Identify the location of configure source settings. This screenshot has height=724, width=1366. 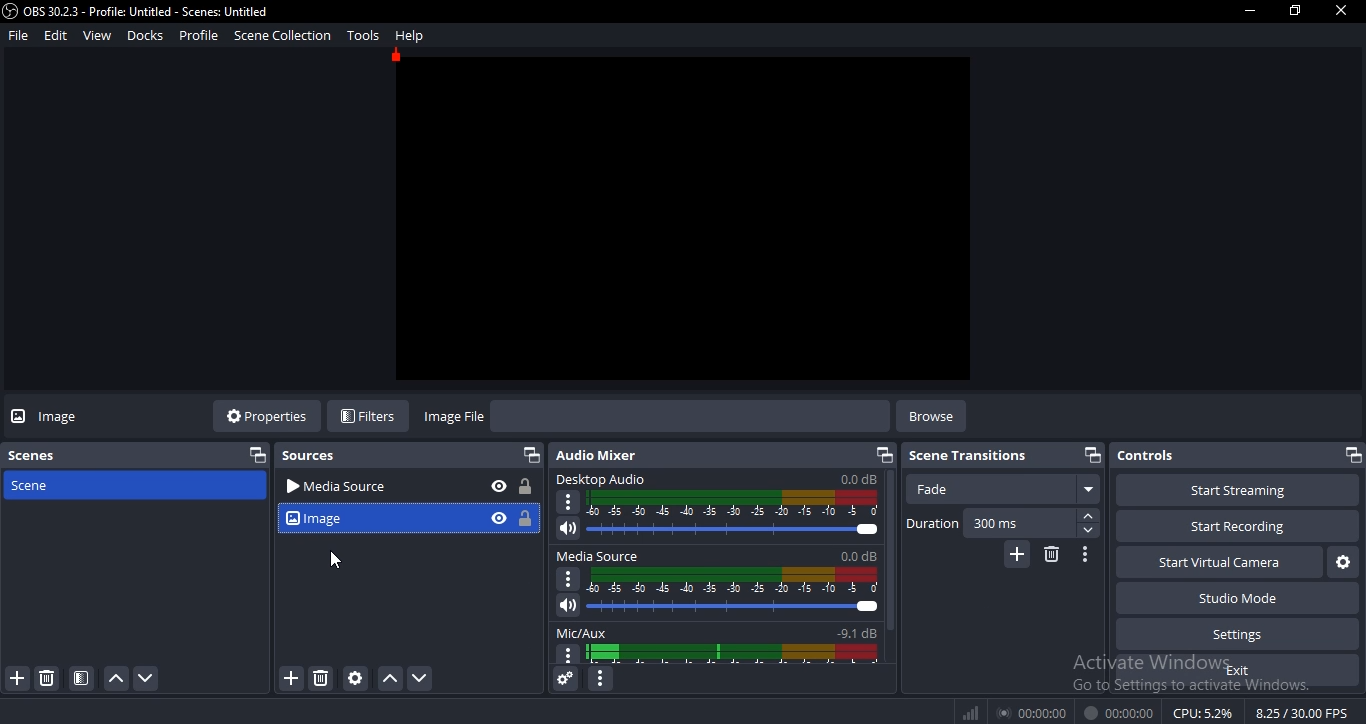
(354, 678).